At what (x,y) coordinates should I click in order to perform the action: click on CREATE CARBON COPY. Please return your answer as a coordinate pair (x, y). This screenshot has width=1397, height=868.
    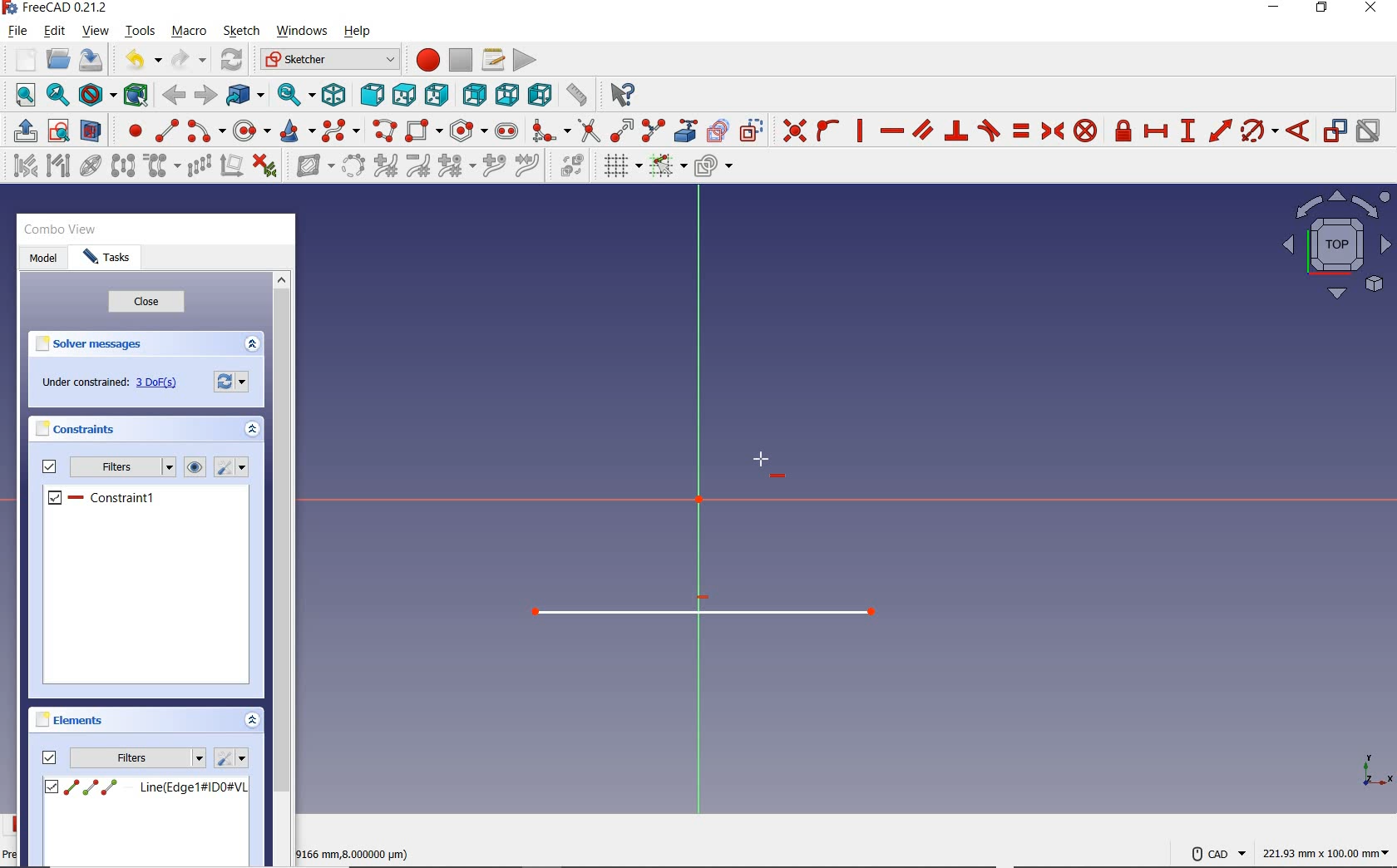
    Looking at the image, I should click on (718, 129).